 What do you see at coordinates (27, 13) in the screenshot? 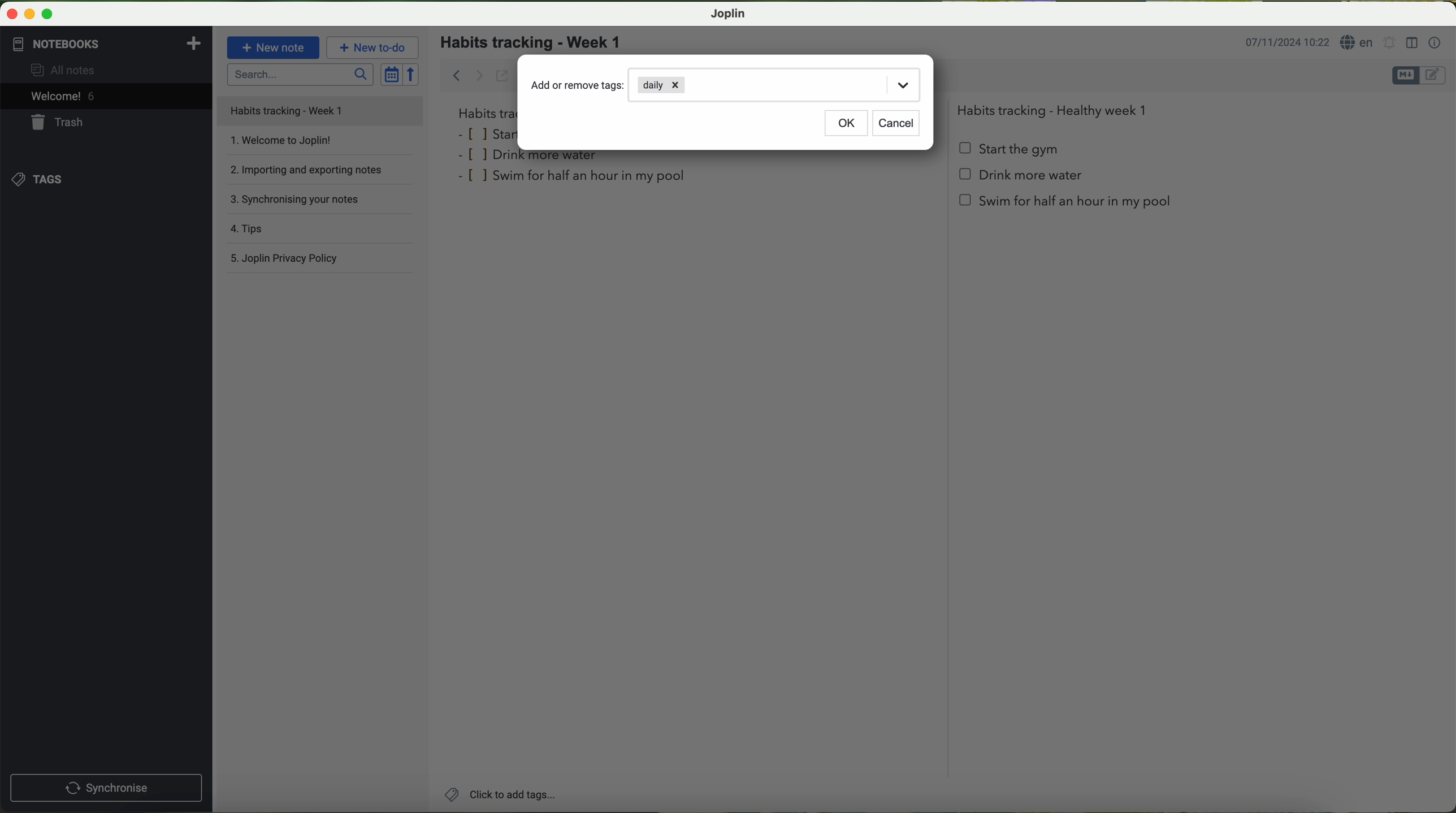
I see `minimize` at bounding box center [27, 13].